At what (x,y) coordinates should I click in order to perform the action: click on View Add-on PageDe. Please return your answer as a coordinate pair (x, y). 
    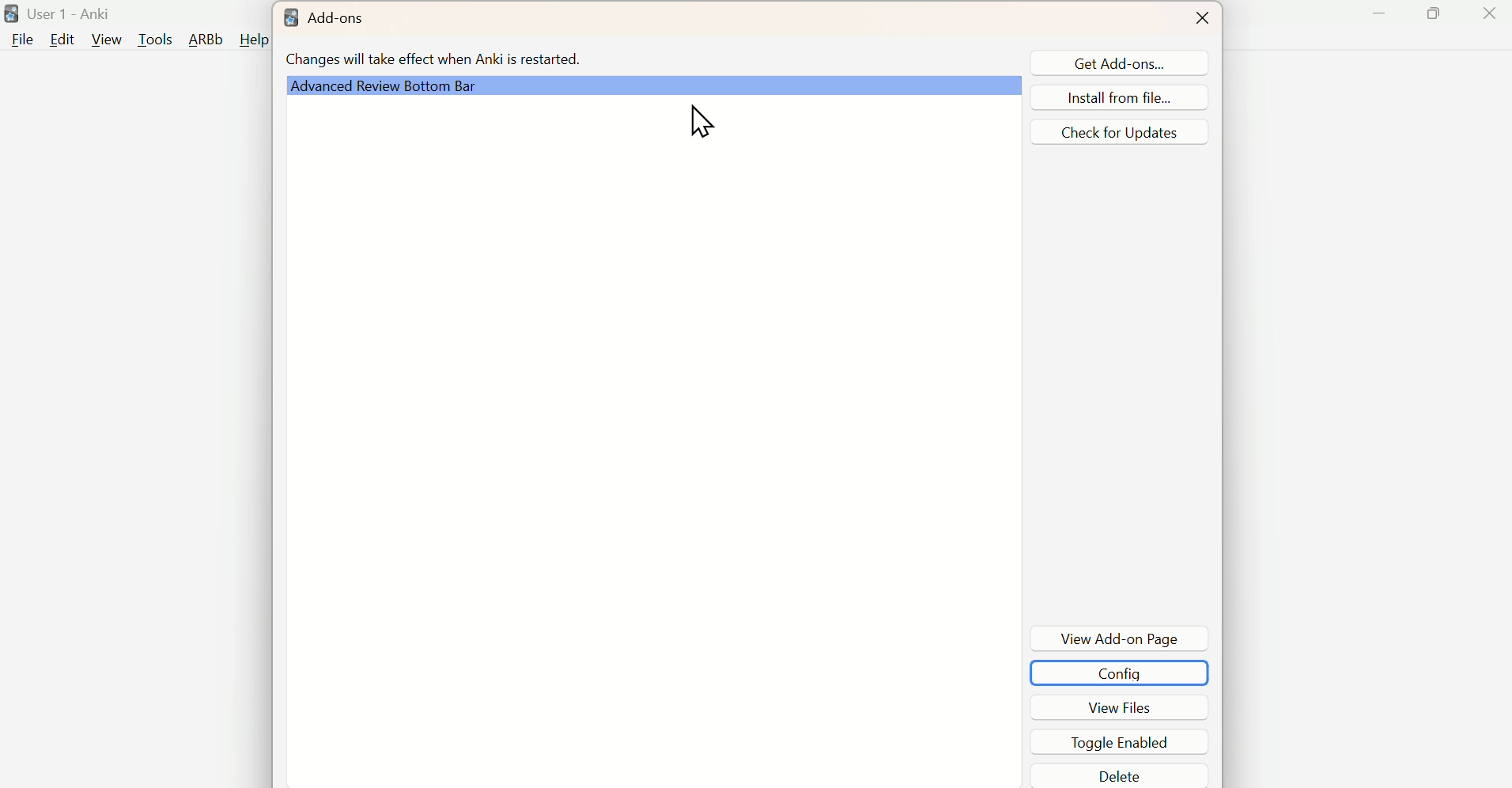
    Looking at the image, I should click on (1121, 638).